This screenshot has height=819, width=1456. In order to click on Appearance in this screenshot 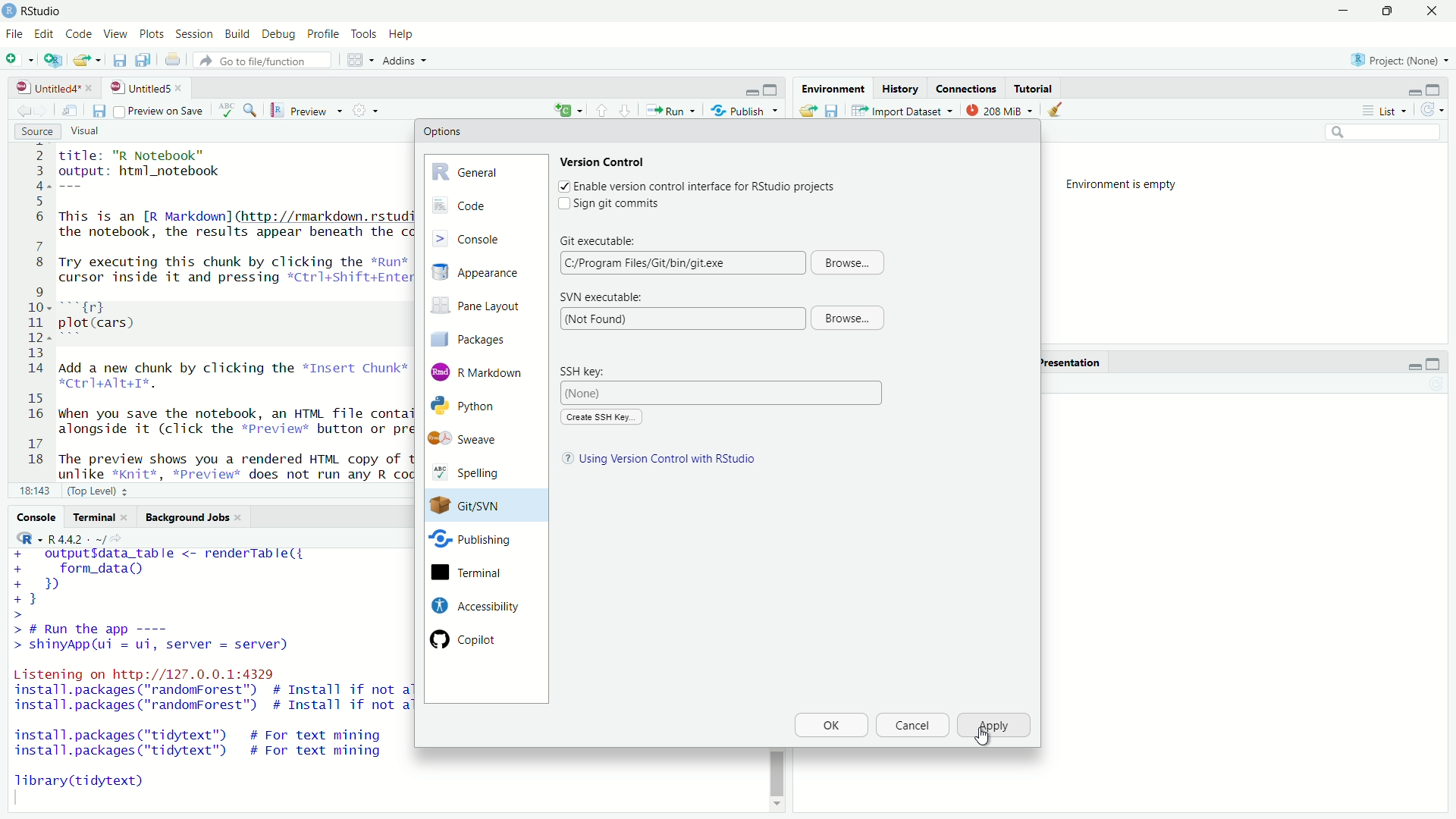, I will do `click(484, 273)`.